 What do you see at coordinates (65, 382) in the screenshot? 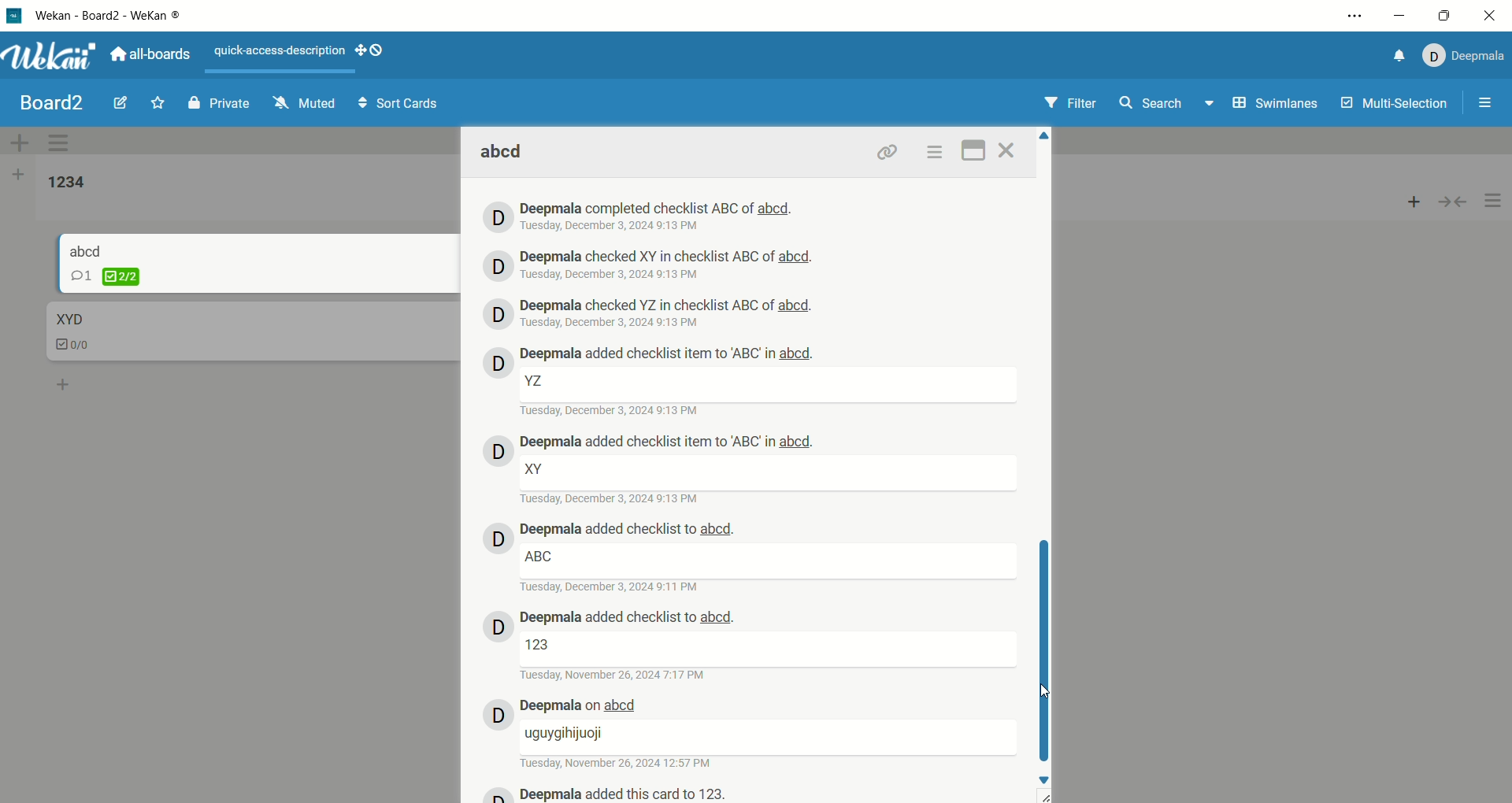
I see `add` at bounding box center [65, 382].